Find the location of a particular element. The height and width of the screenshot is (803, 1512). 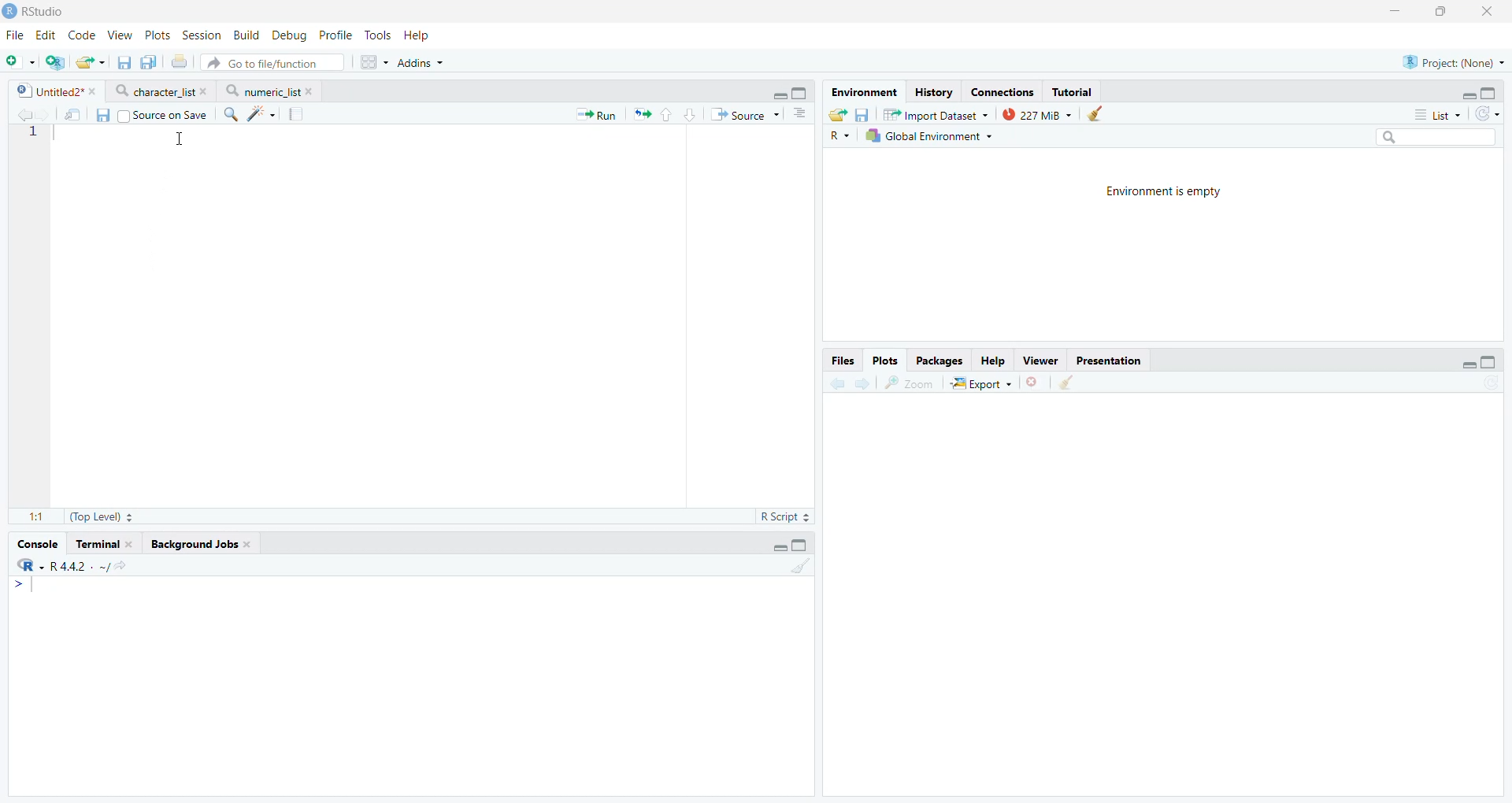

Print is located at coordinates (178, 62).